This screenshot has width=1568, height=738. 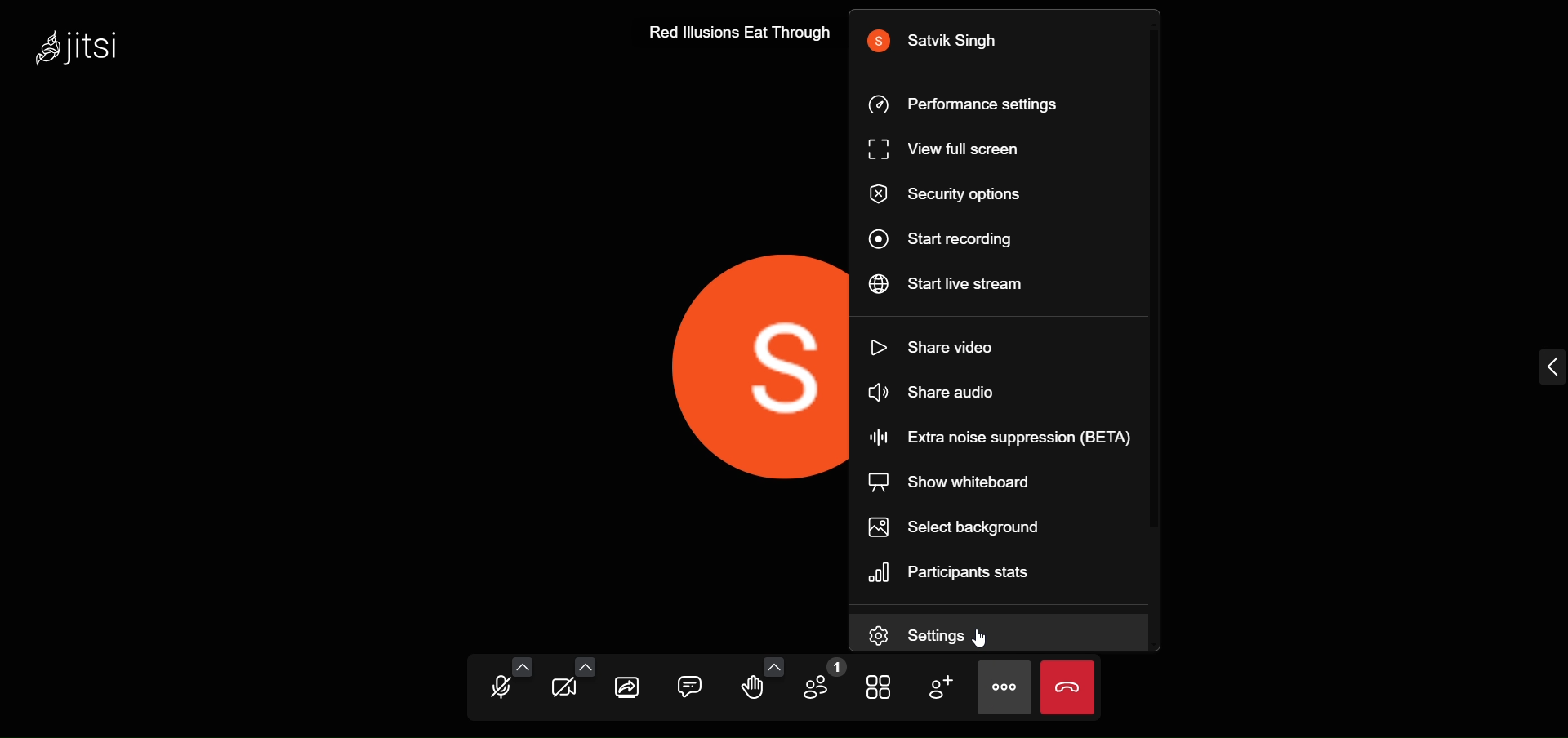 What do you see at coordinates (964, 109) in the screenshot?
I see `performance setting` at bounding box center [964, 109].